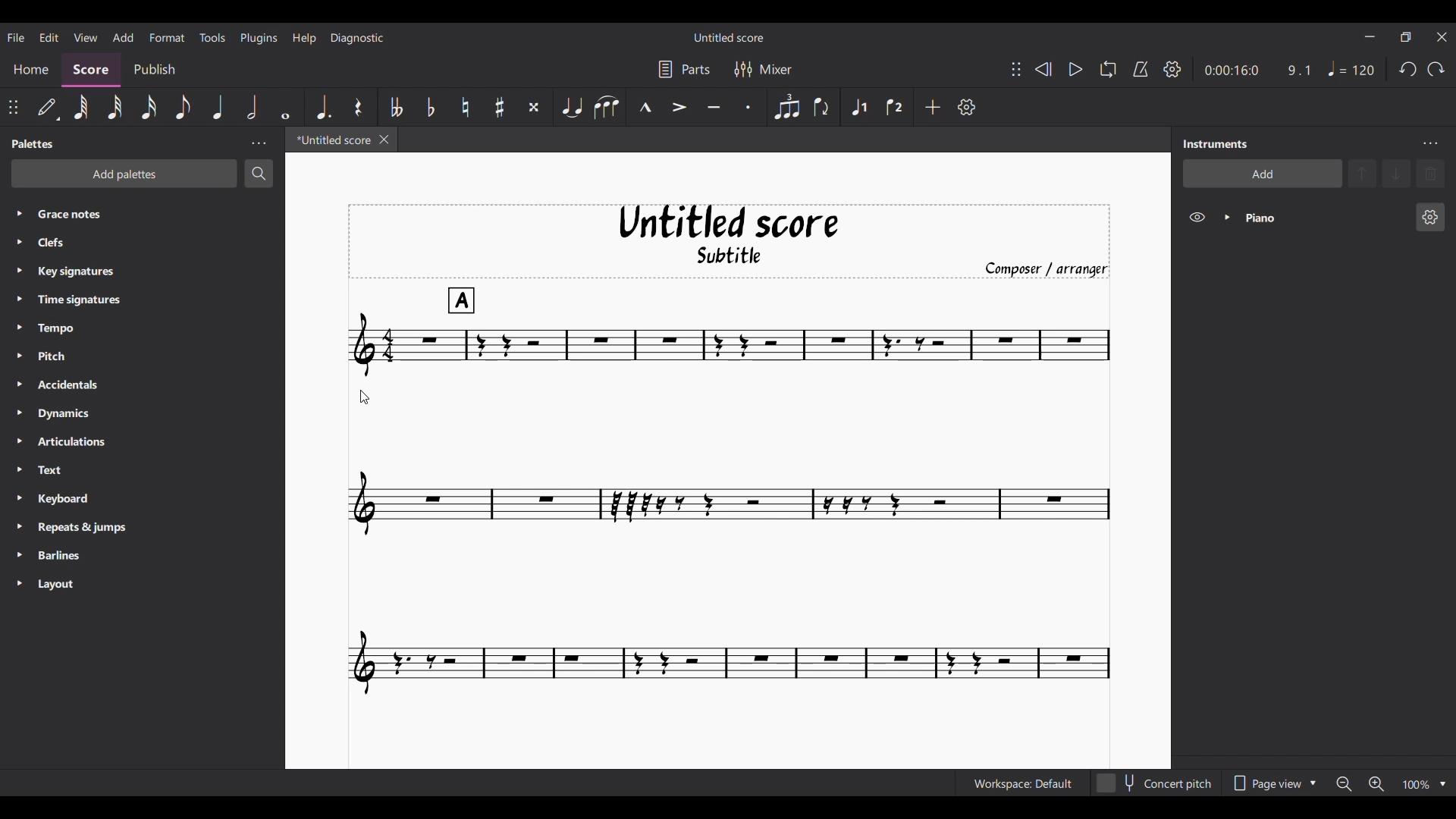 The width and height of the screenshot is (1456, 819). I want to click on Tools menu, so click(212, 38).